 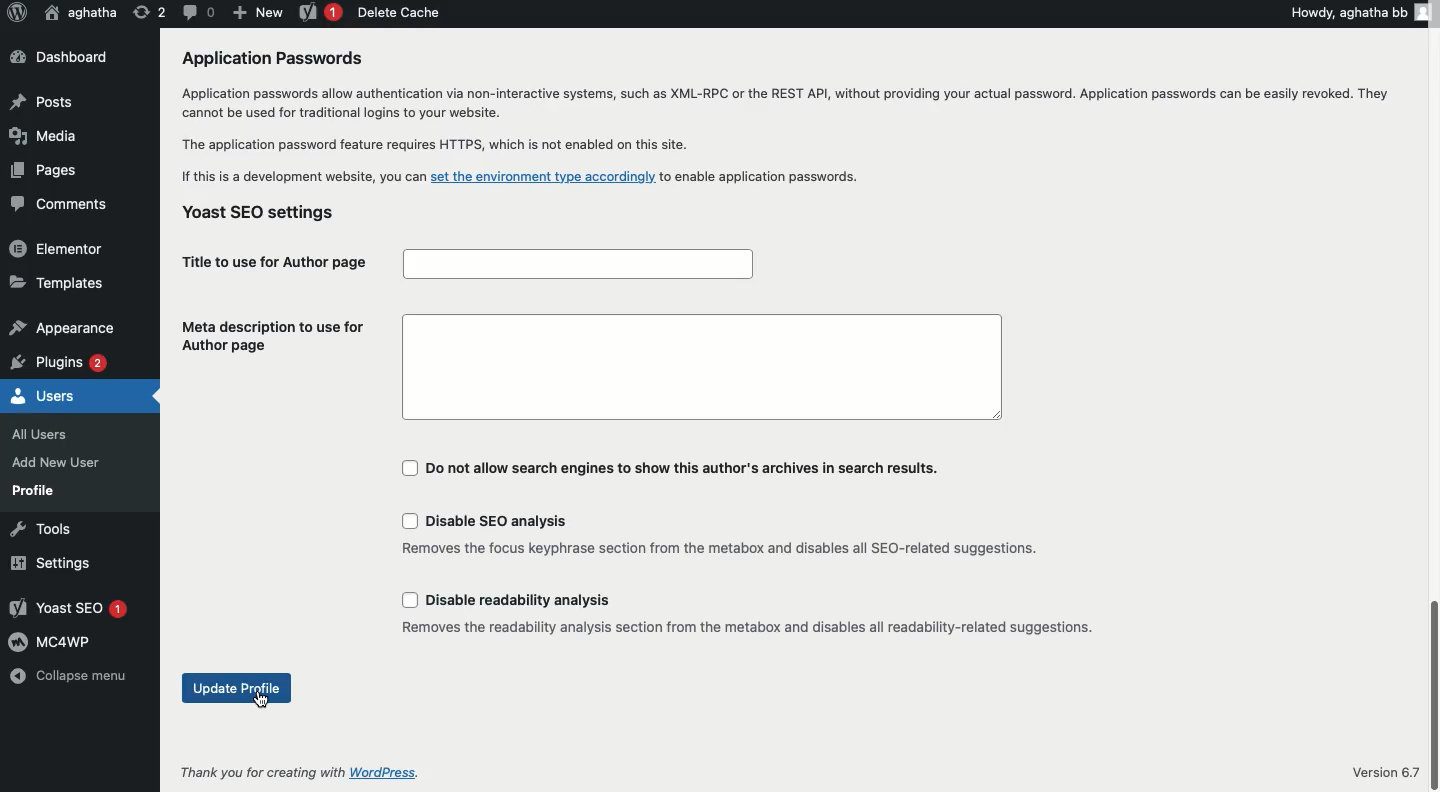 What do you see at coordinates (789, 107) in the screenshot?
I see `Application passwords allow authentication via non-interactive systems, such as XML-RPC or the REST API, without providing your actual password. Application passwords can be easily revoked. They cannot be used for traditional logins to your website.` at bounding box center [789, 107].